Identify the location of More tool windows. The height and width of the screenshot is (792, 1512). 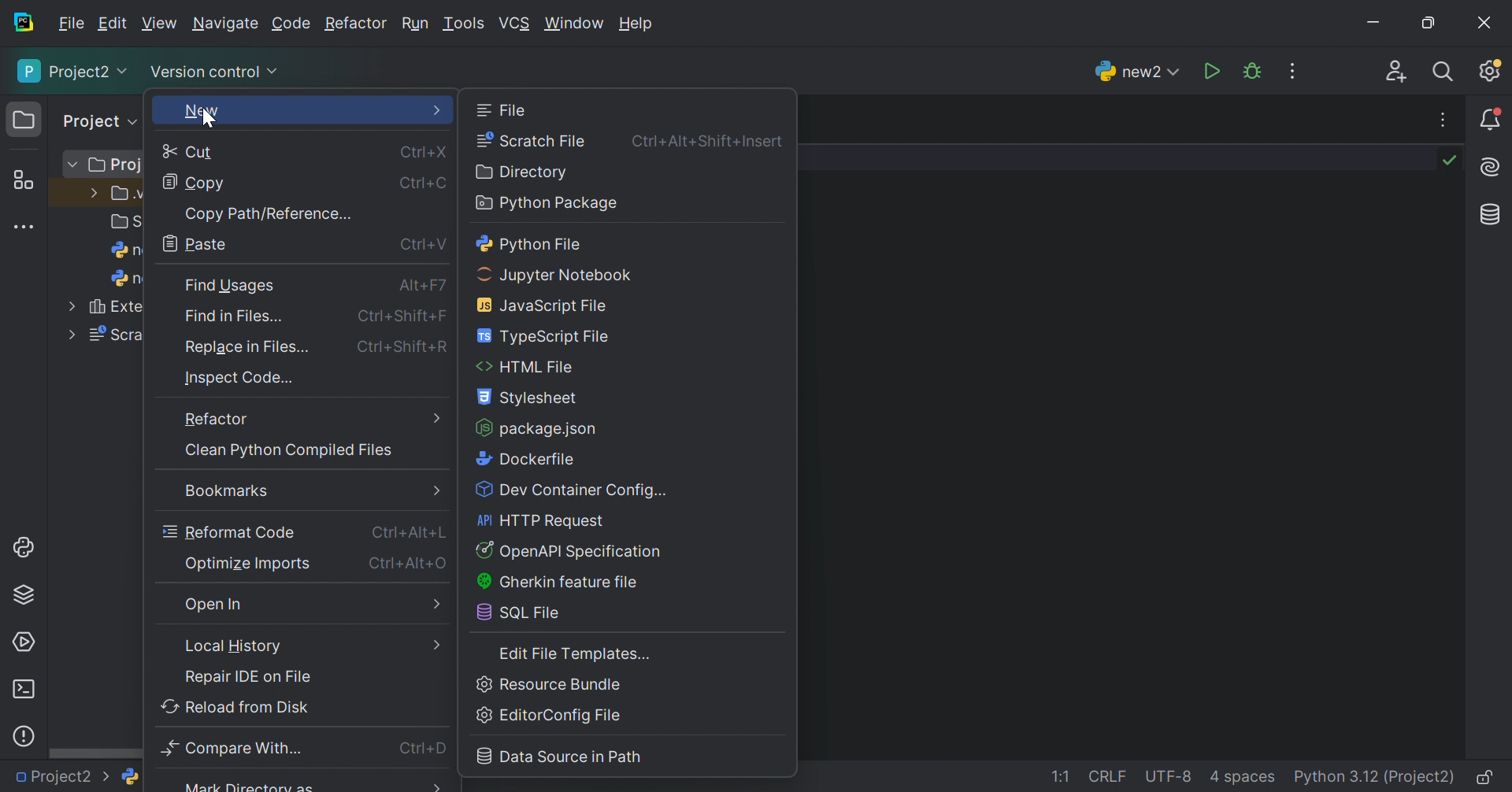
(24, 228).